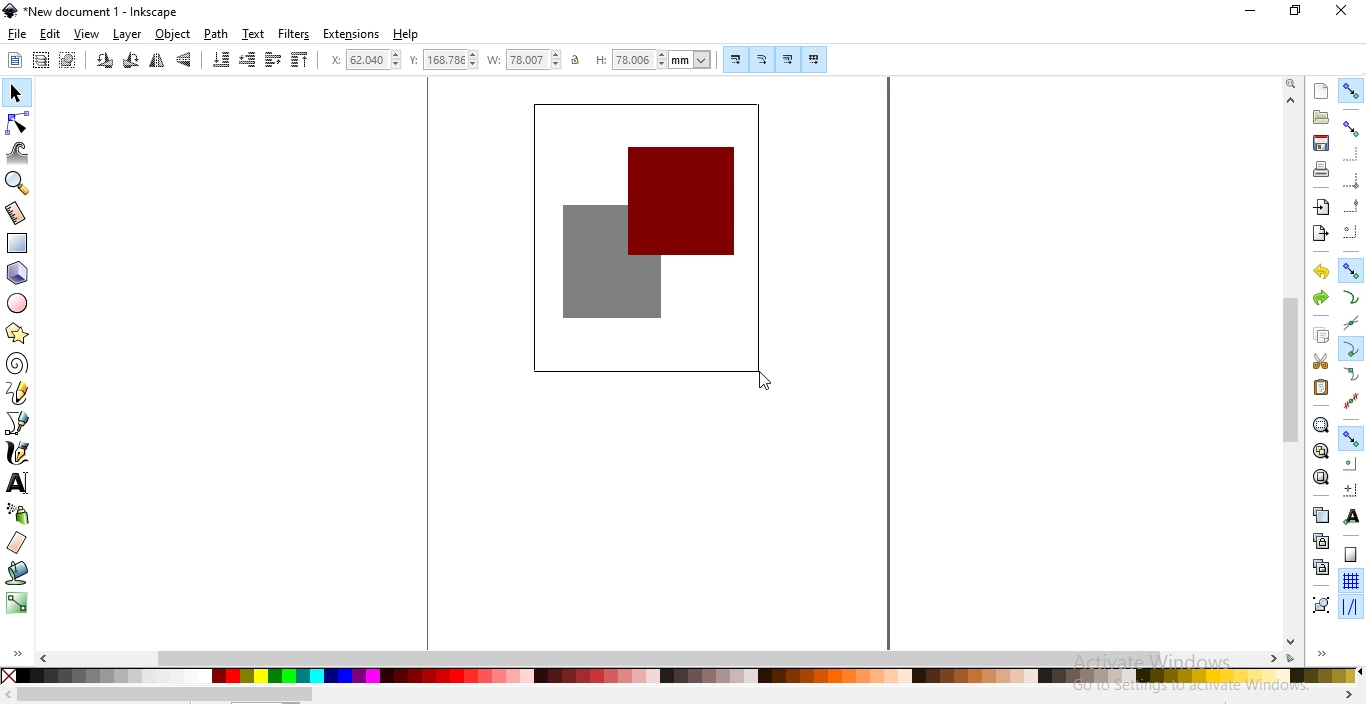  Describe the element at coordinates (406, 35) in the screenshot. I see `help` at that location.